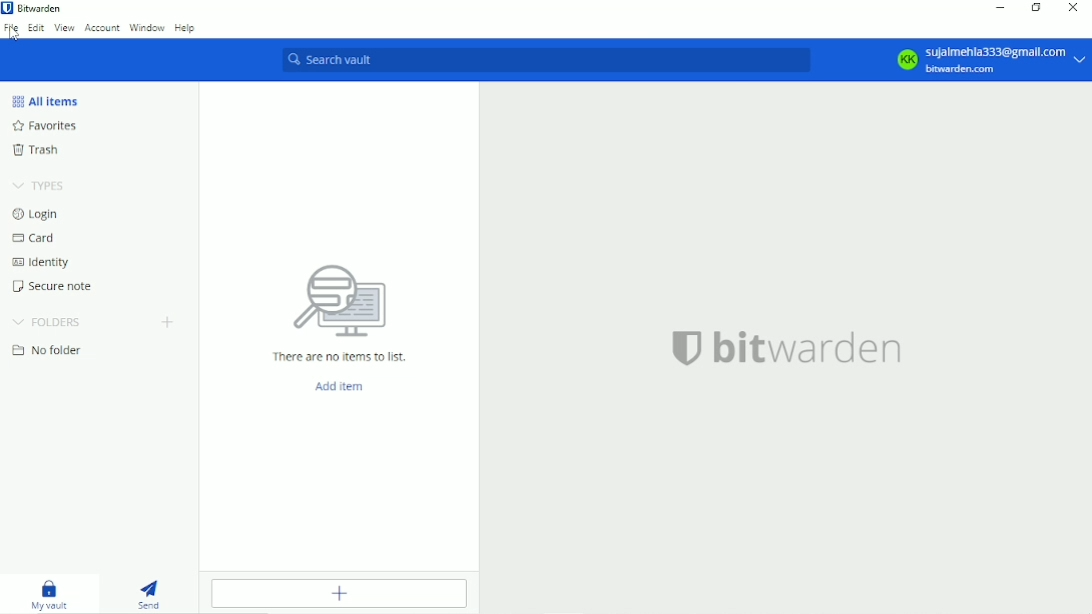 Image resolution: width=1092 pixels, height=614 pixels. I want to click on Close, so click(1075, 9).